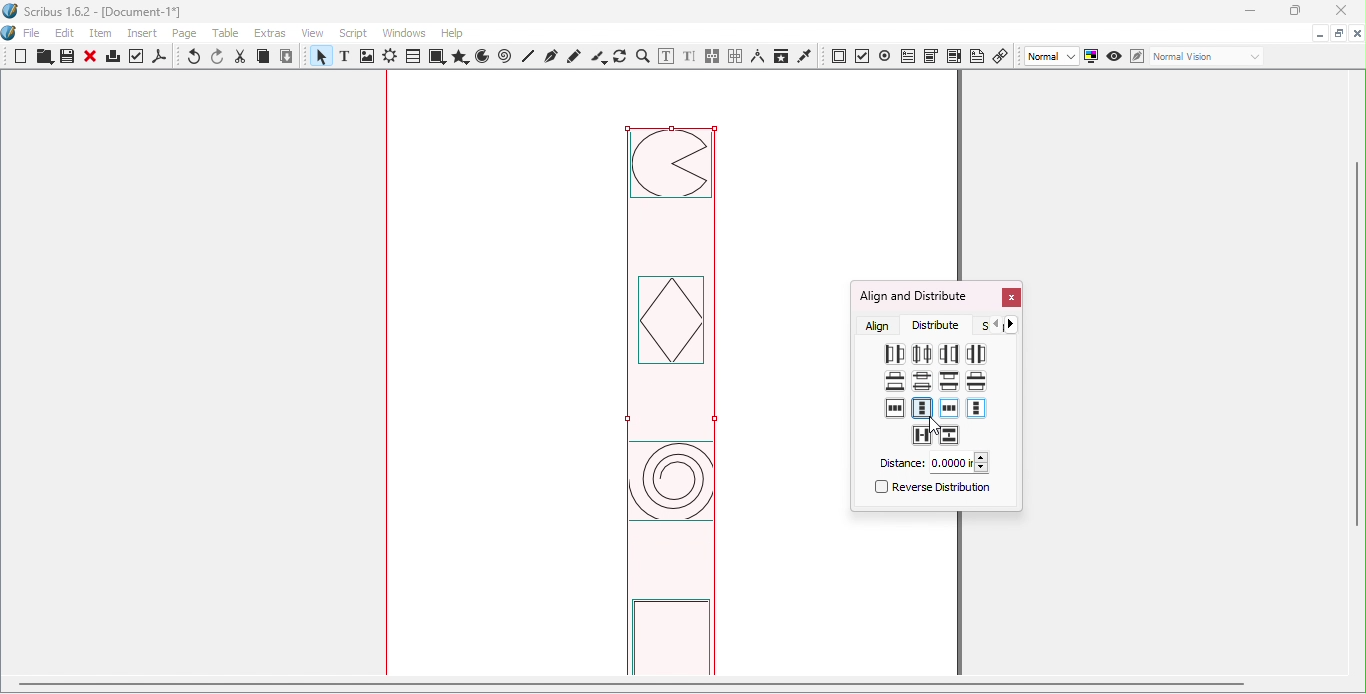 This screenshot has height=694, width=1366. I want to click on Spiral, so click(507, 57).